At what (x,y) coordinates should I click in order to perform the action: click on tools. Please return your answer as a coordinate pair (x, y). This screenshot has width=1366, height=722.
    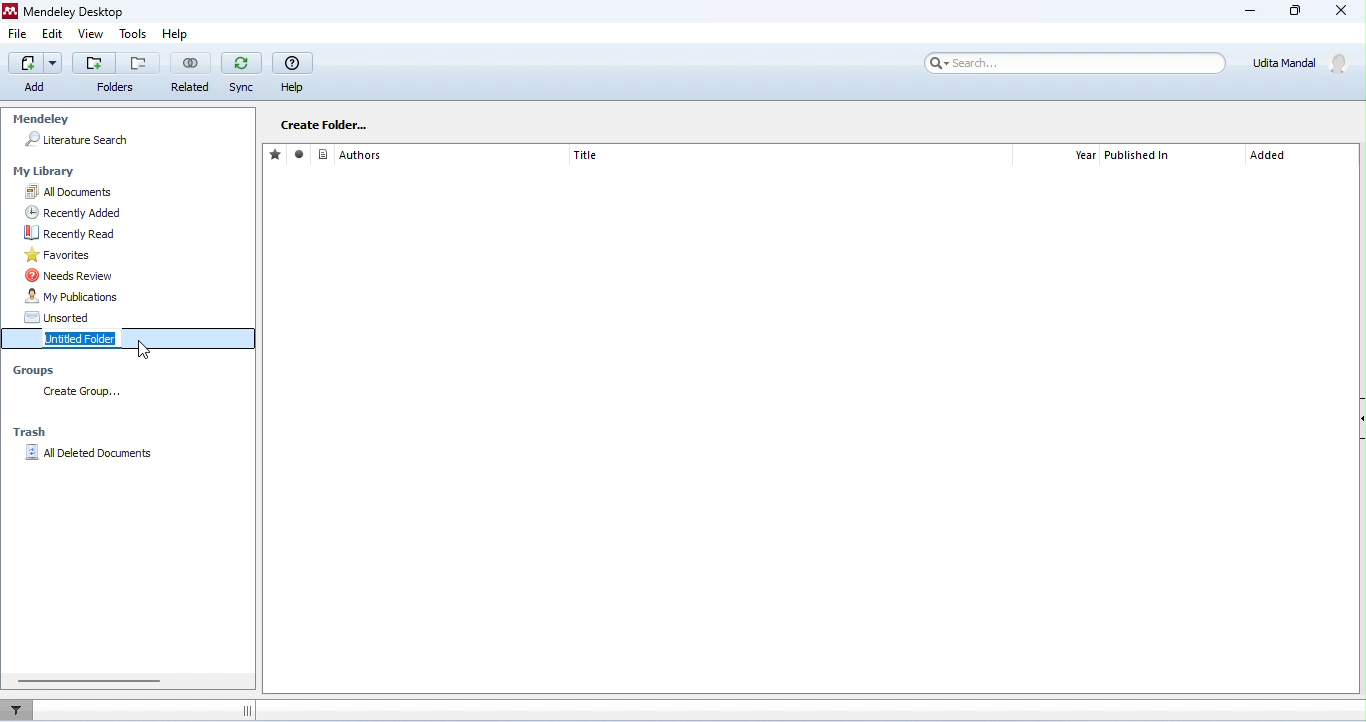
    Looking at the image, I should click on (134, 34).